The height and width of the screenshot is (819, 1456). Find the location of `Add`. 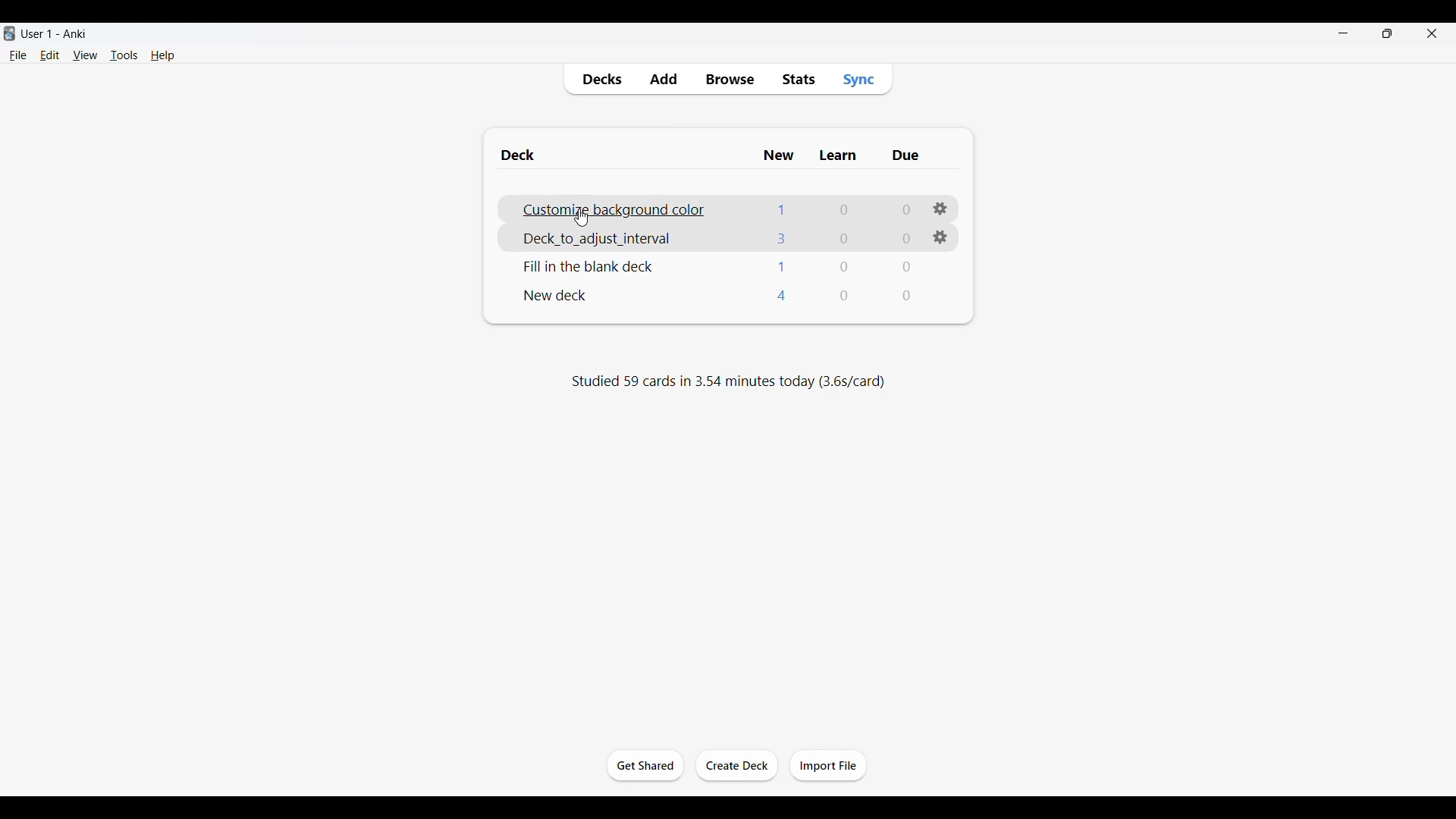

Add is located at coordinates (663, 80).